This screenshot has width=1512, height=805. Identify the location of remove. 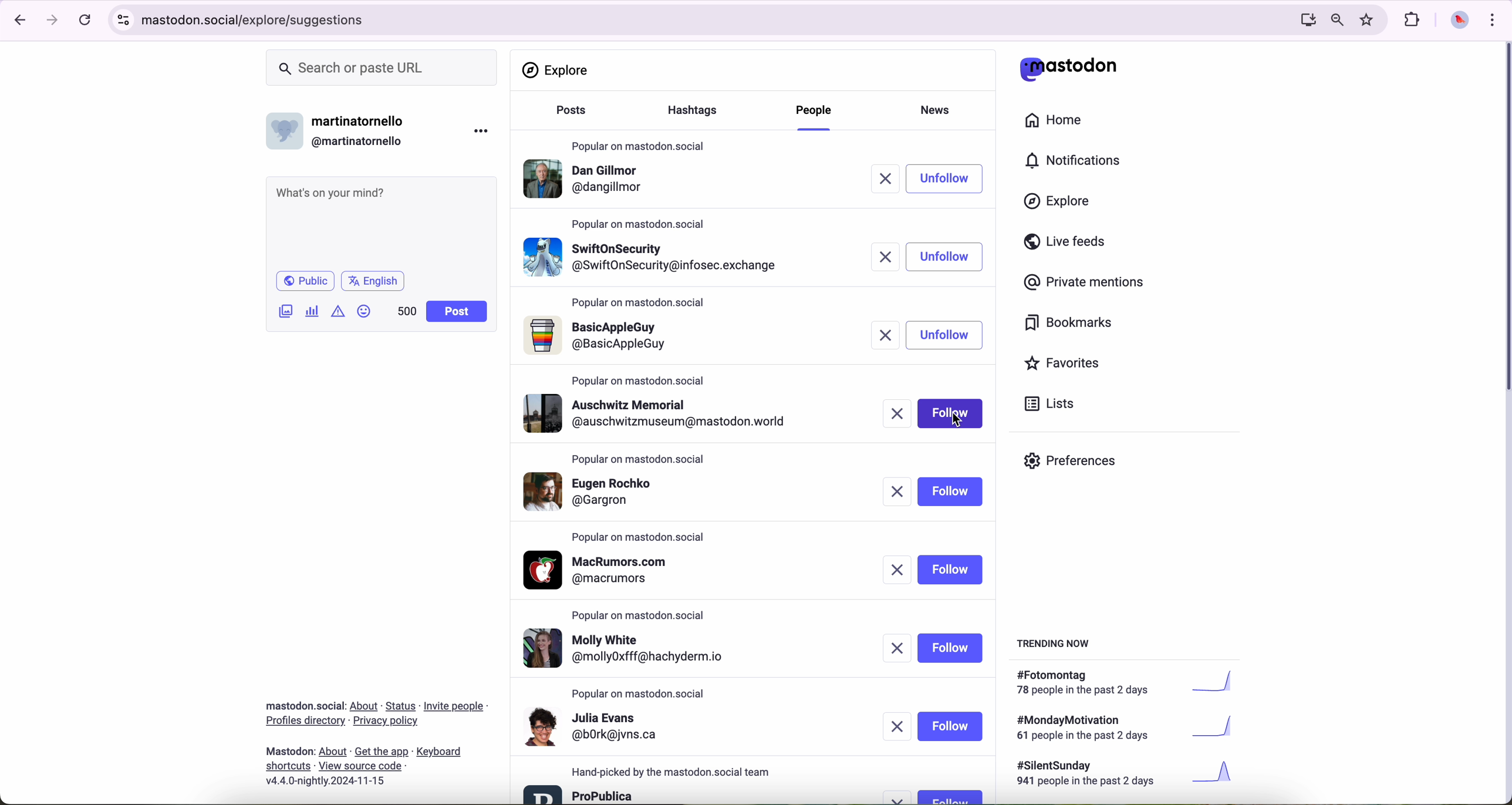
(897, 570).